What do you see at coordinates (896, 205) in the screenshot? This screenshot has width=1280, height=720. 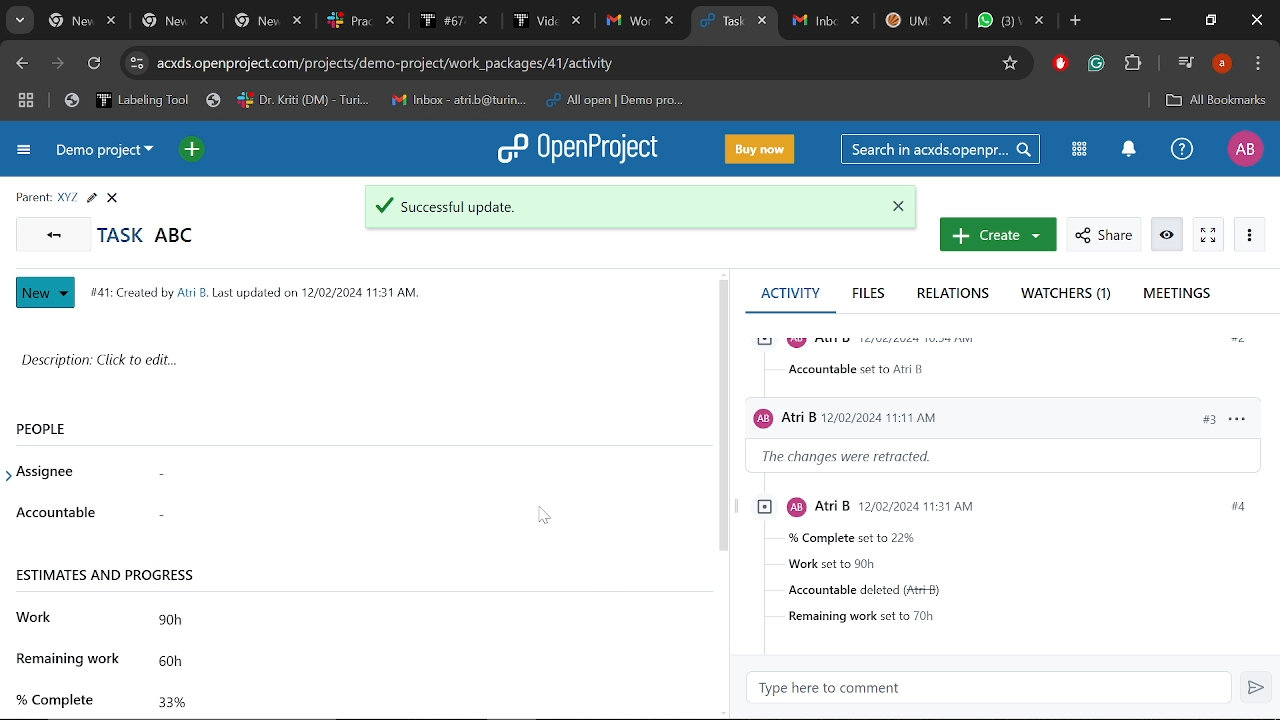 I see `Close` at bounding box center [896, 205].